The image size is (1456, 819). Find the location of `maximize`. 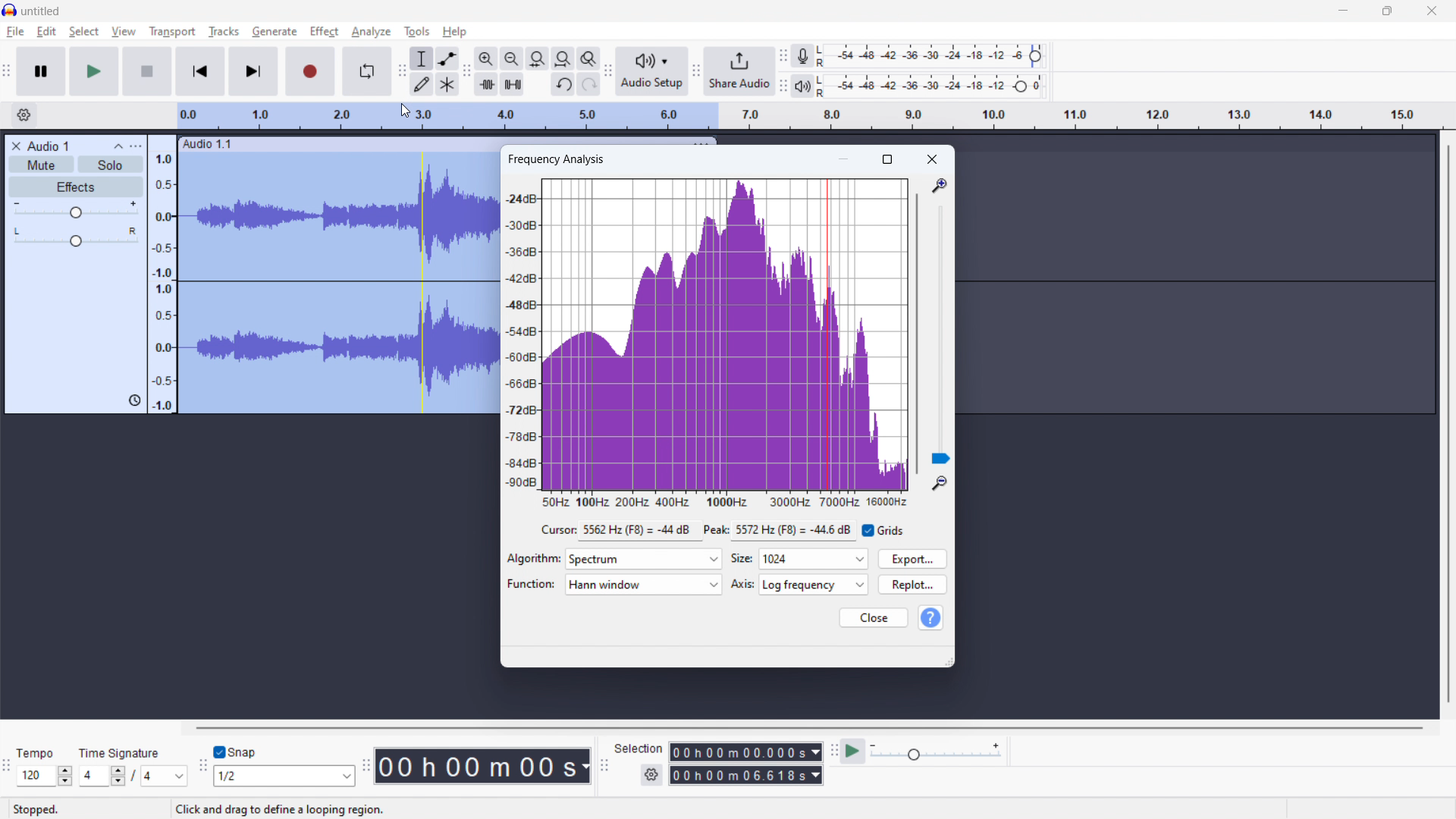

maximize is located at coordinates (888, 160).